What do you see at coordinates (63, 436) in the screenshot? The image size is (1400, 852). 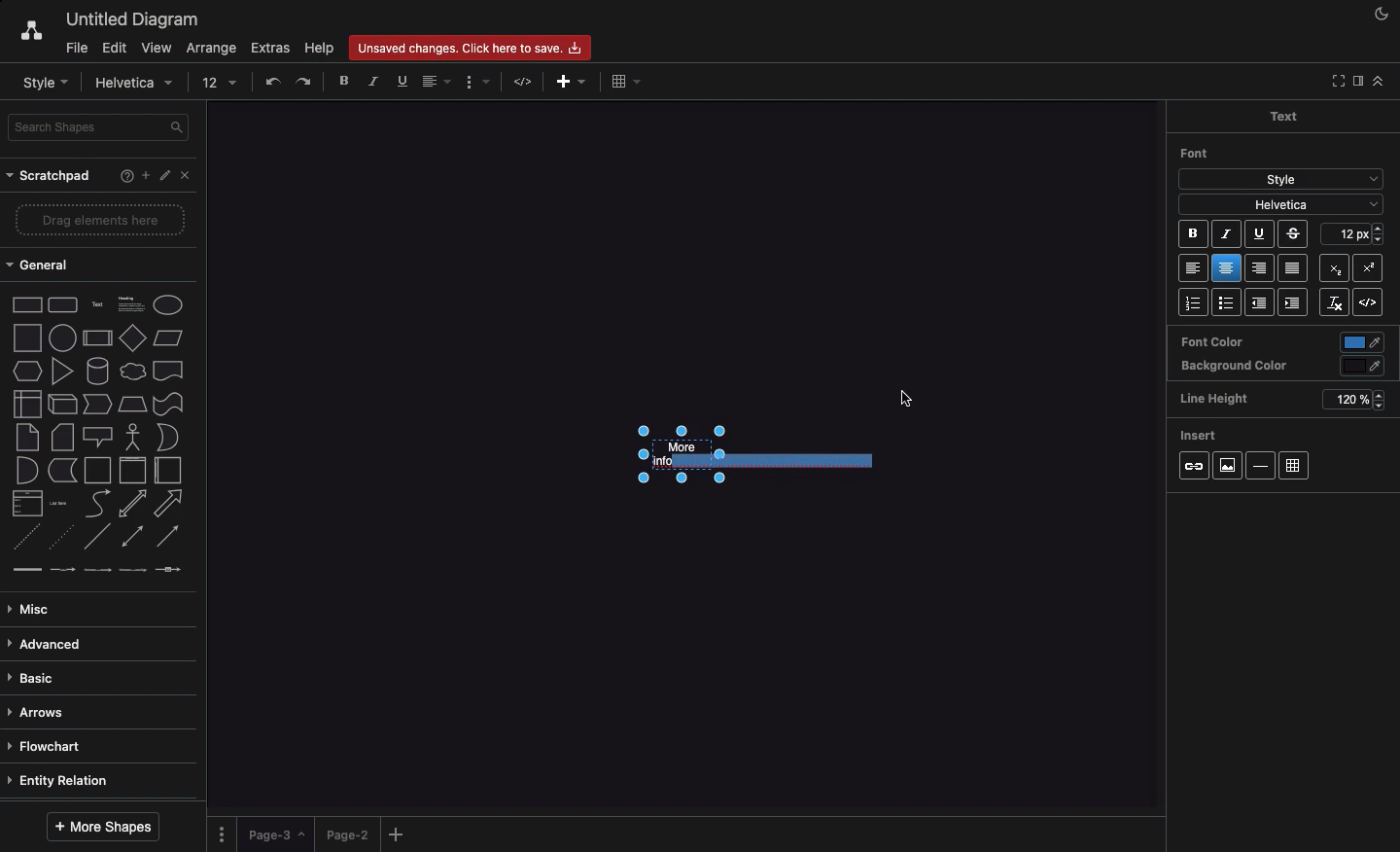 I see `card` at bounding box center [63, 436].